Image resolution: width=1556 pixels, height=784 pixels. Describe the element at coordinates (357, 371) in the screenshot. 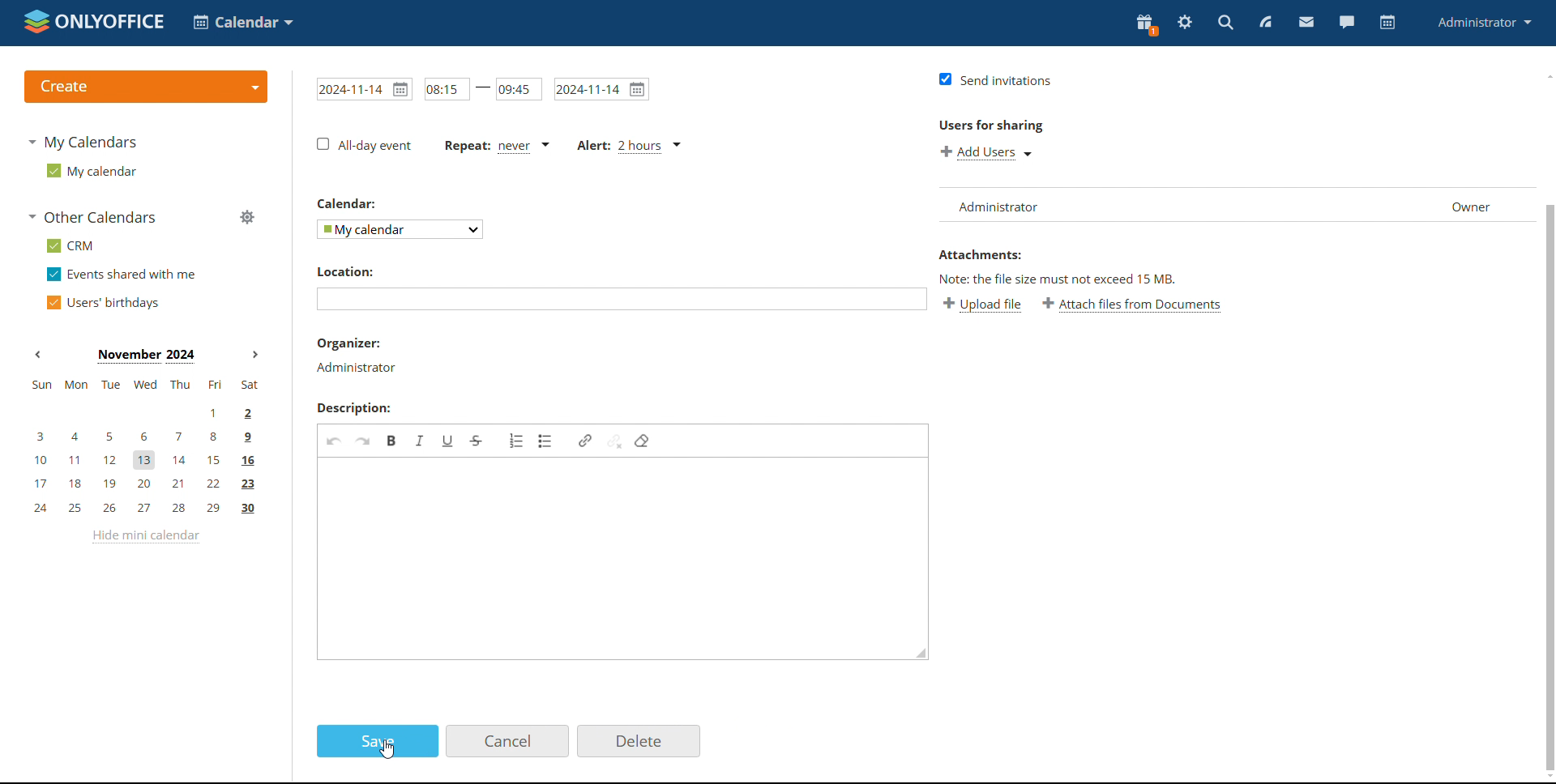

I see `organizer` at that location.